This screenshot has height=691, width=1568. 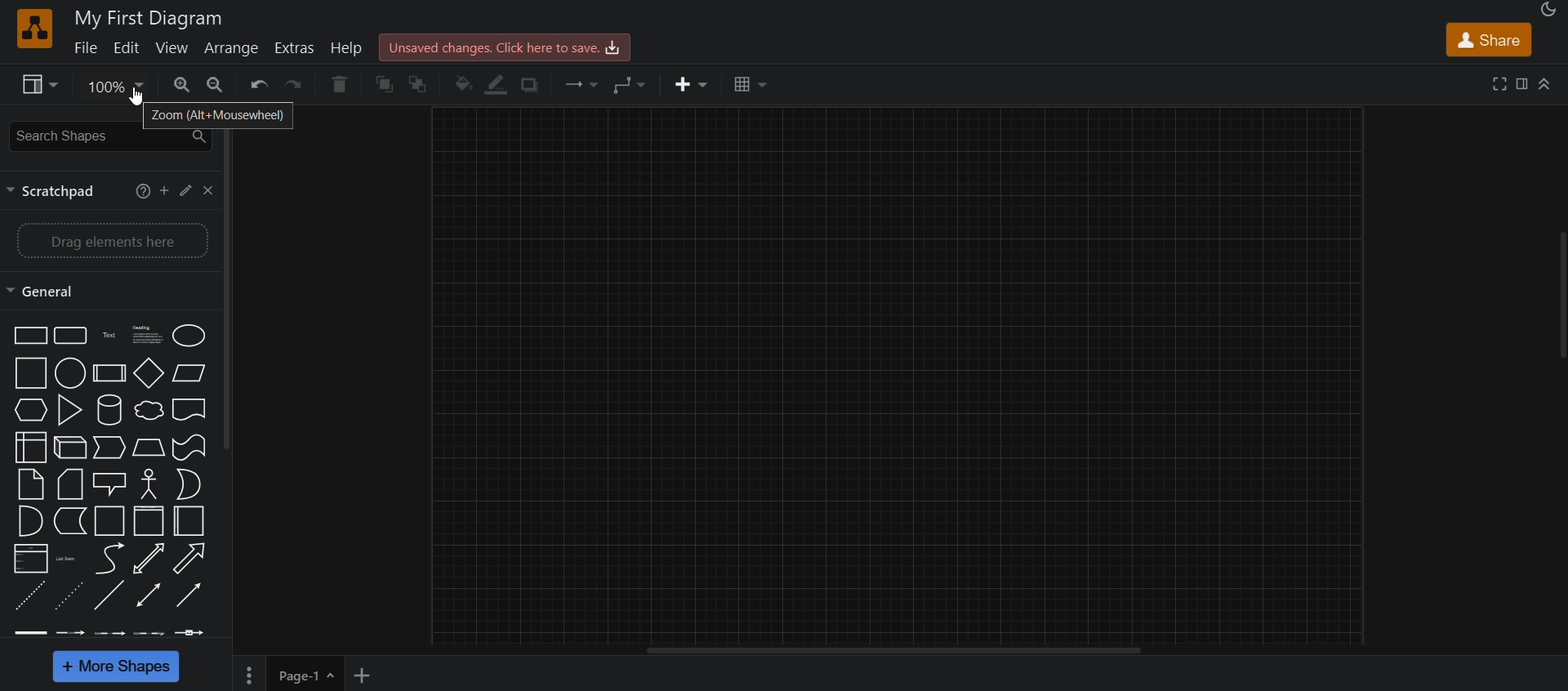 What do you see at coordinates (261, 86) in the screenshot?
I see `undo` at bounding box center [261, 86].